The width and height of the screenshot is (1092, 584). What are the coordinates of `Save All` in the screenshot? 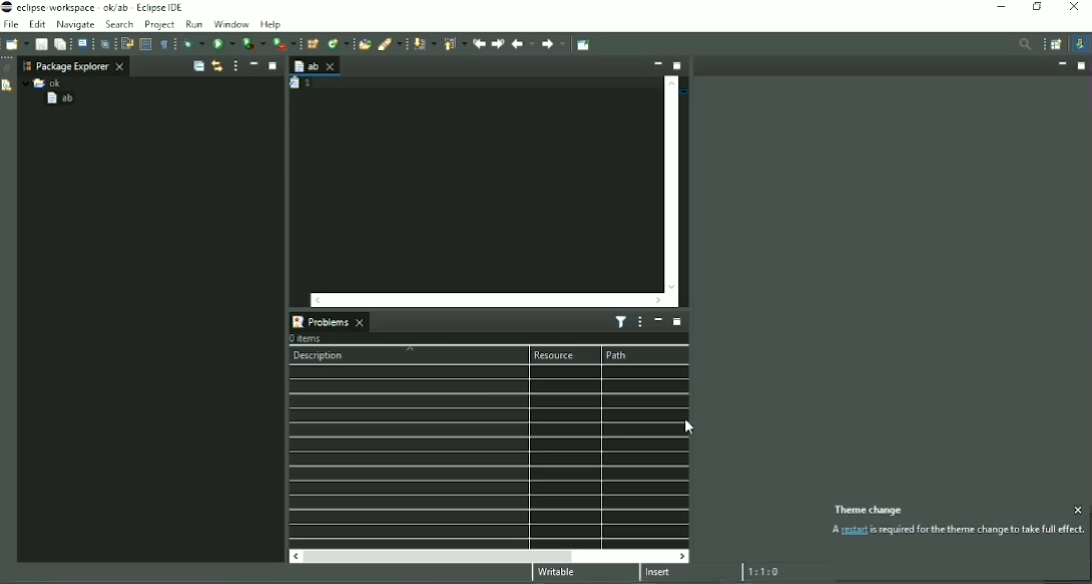 It's located at (61, 44).